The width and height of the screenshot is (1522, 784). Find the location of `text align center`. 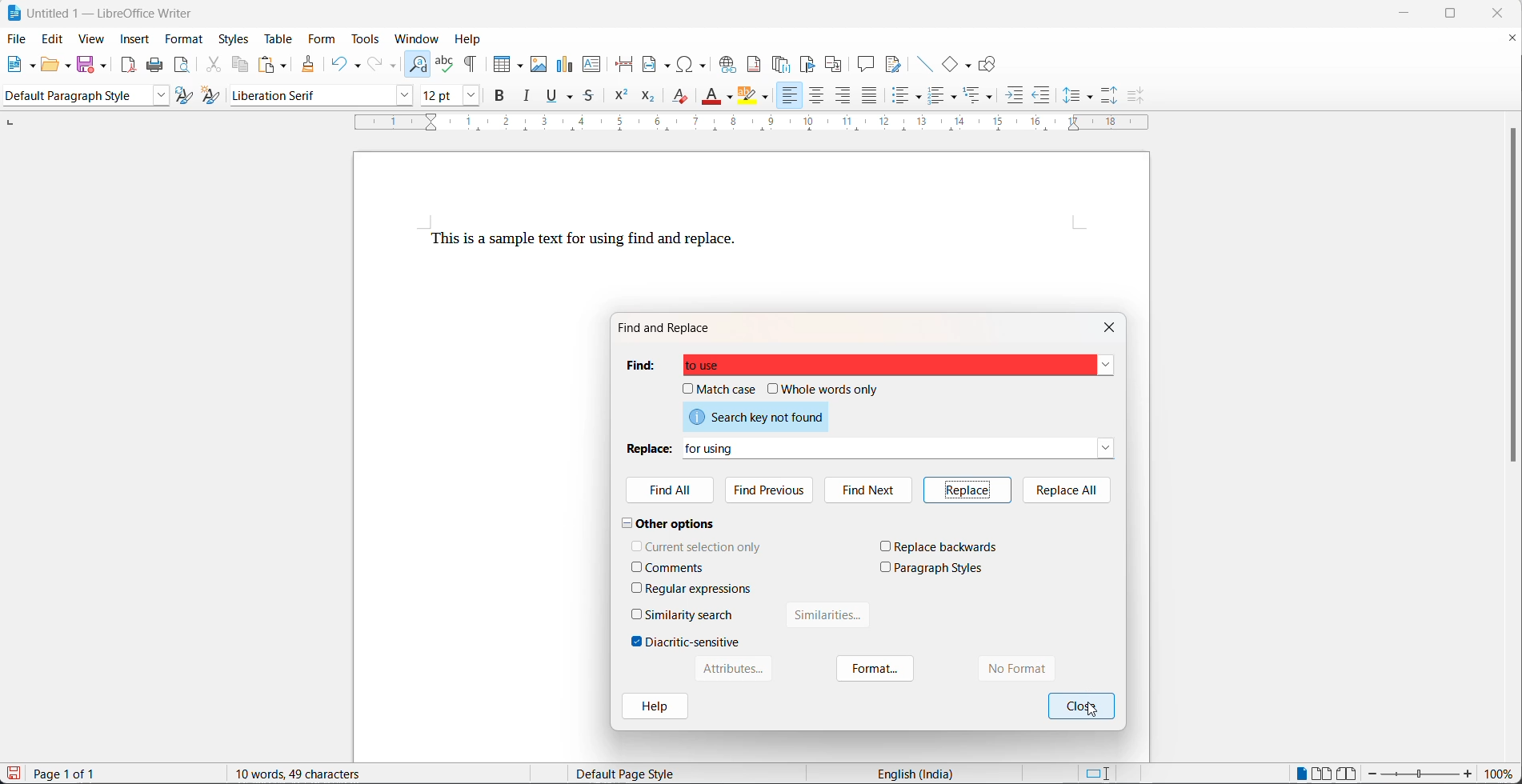

text align center is located at coordinates (817, 97).